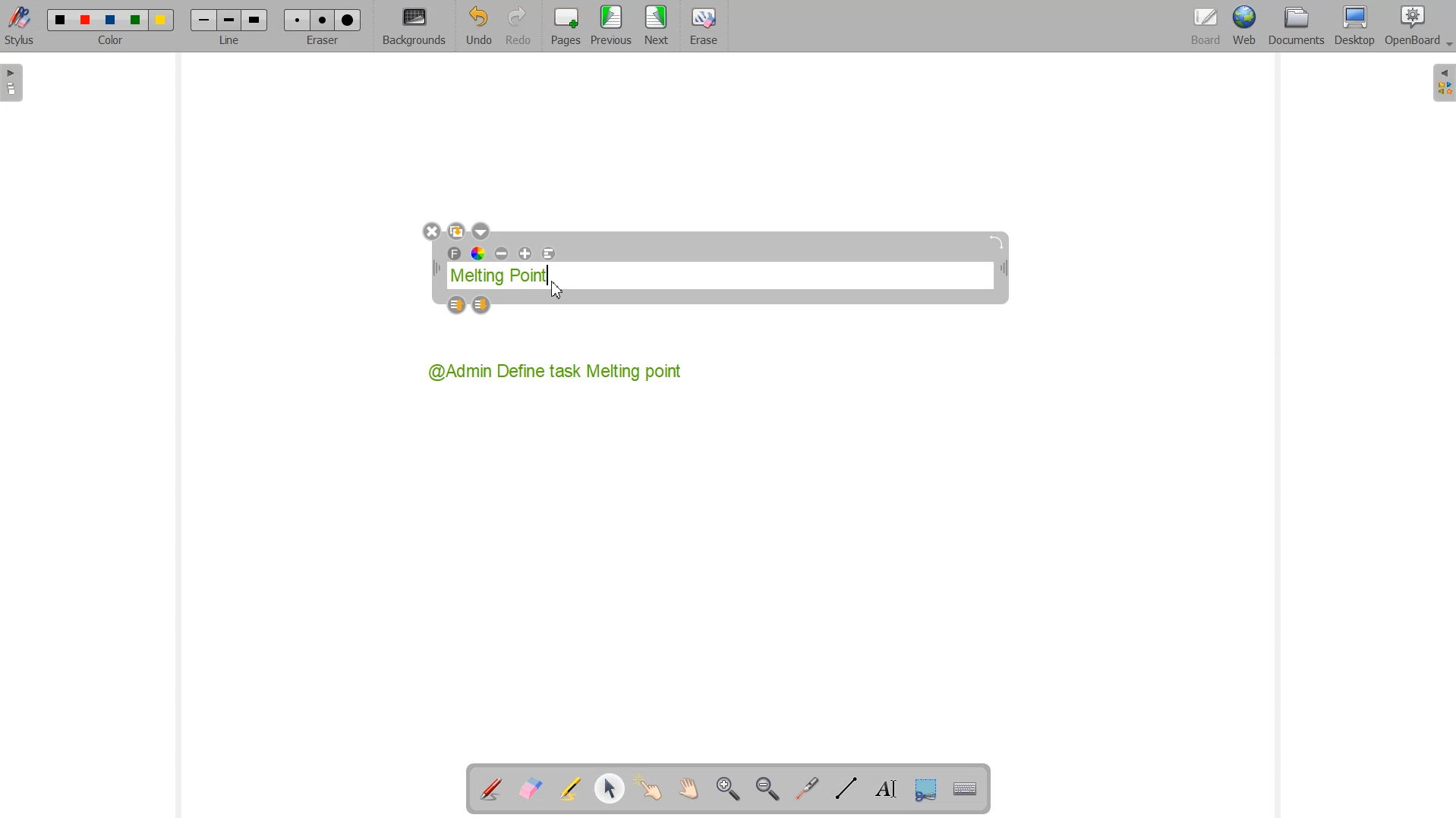 The width and height of the screenshot is (1456, 818). I want to click on Sidebar, so click(14, 83).